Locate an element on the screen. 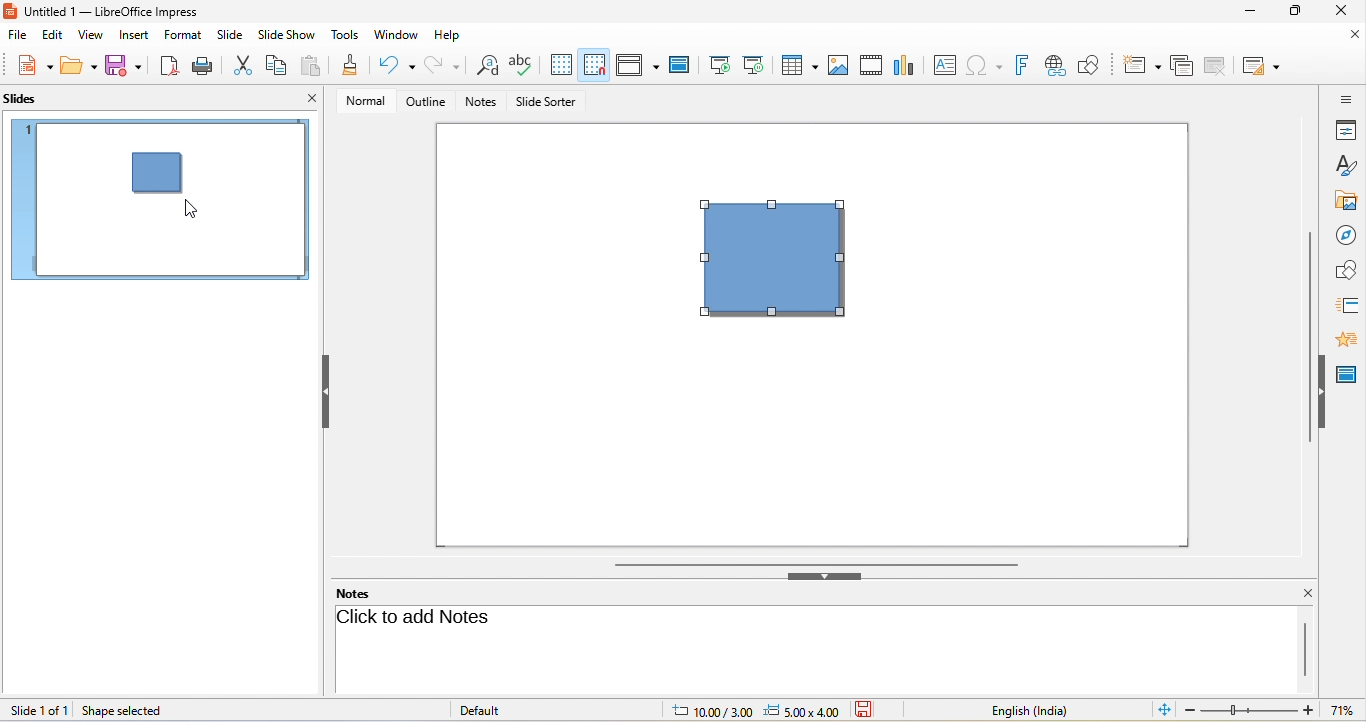 This screenshot has height=722, width=1366. zoom is located at coordinates (1273, 710).